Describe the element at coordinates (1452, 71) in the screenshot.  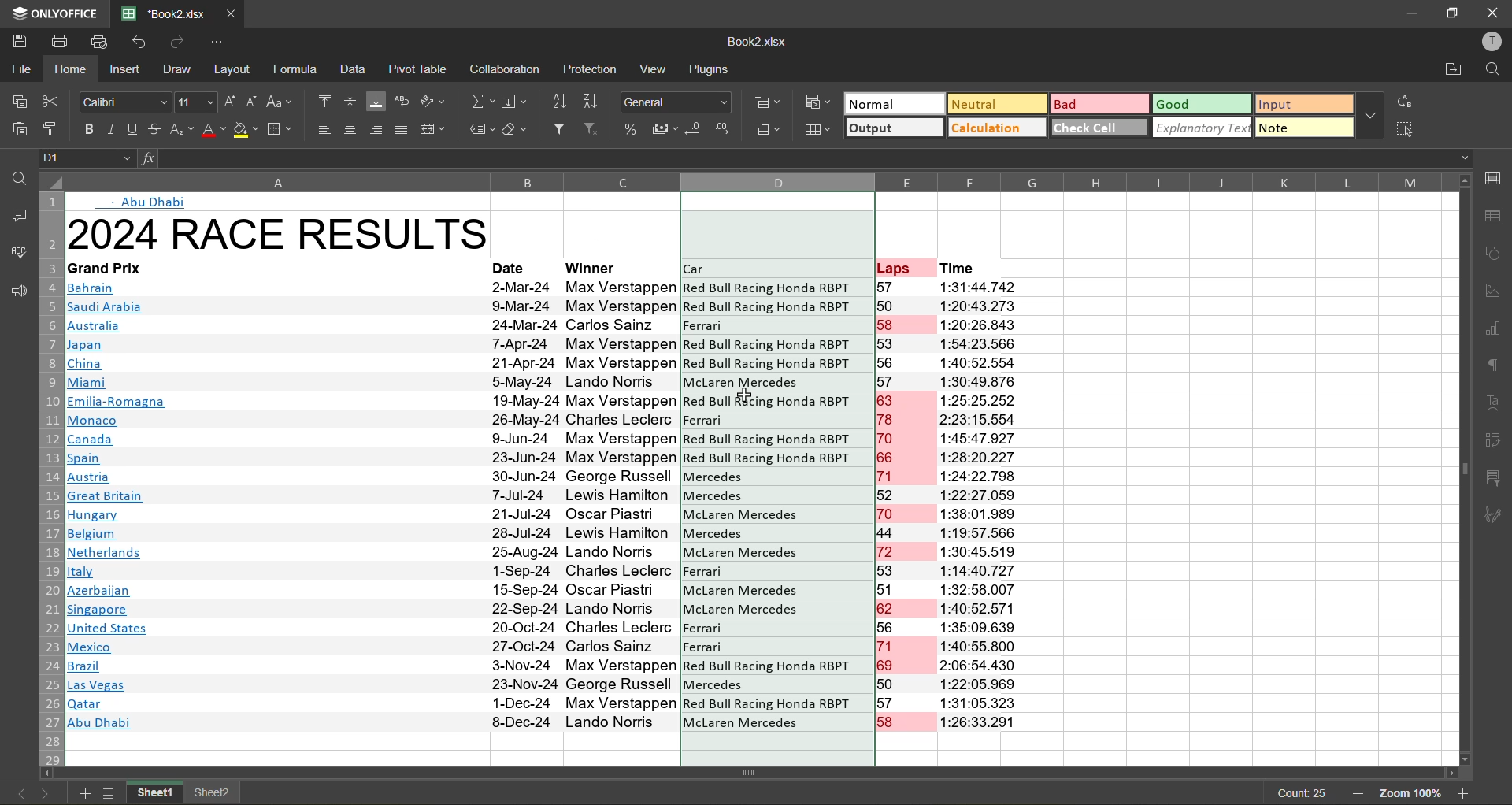
I see `open location` at that location.